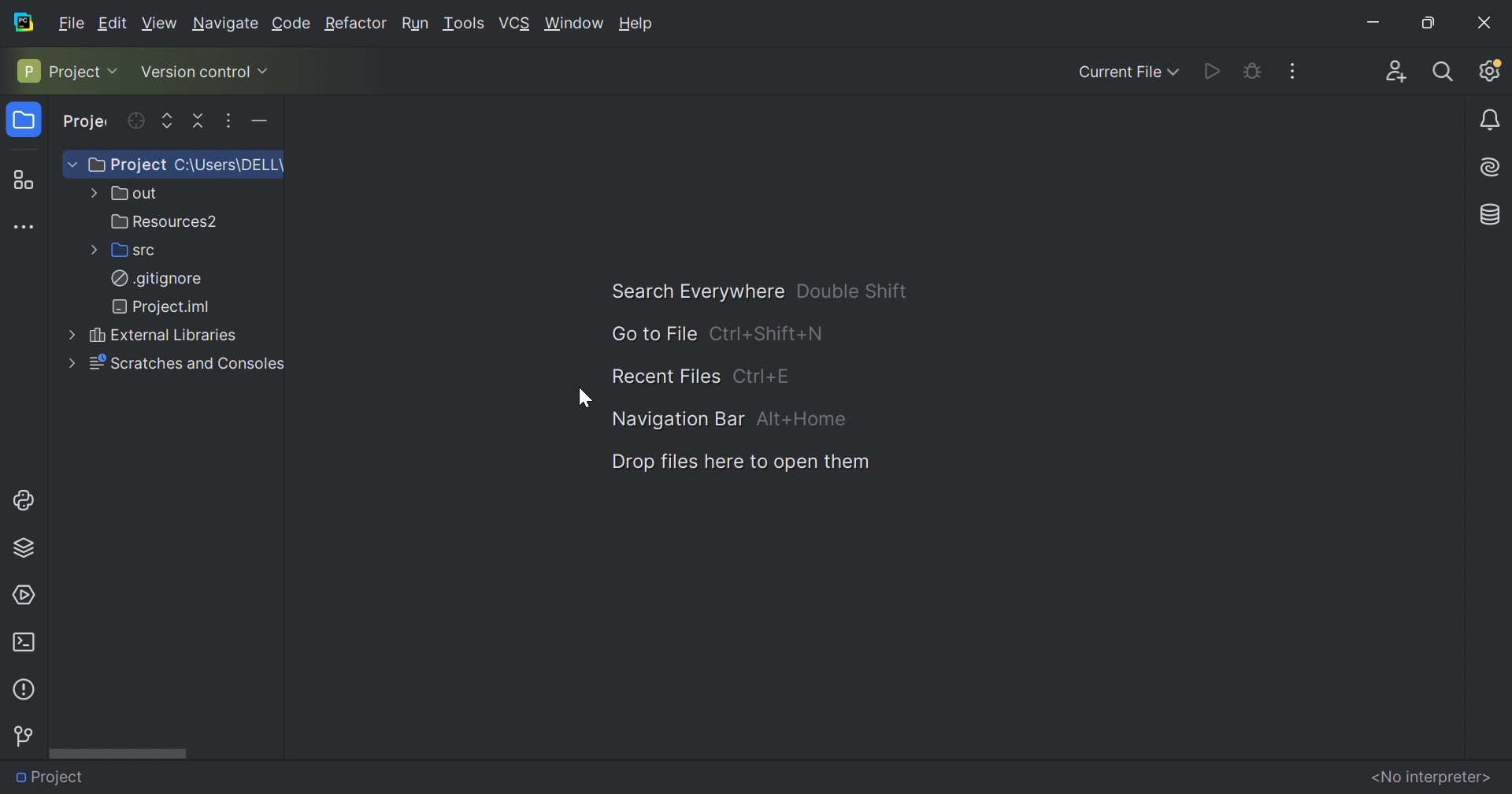 The image size is (1512, 794). Describe the element at coordinates (22, 688) in the screenshot. I see `Problems` at that location.